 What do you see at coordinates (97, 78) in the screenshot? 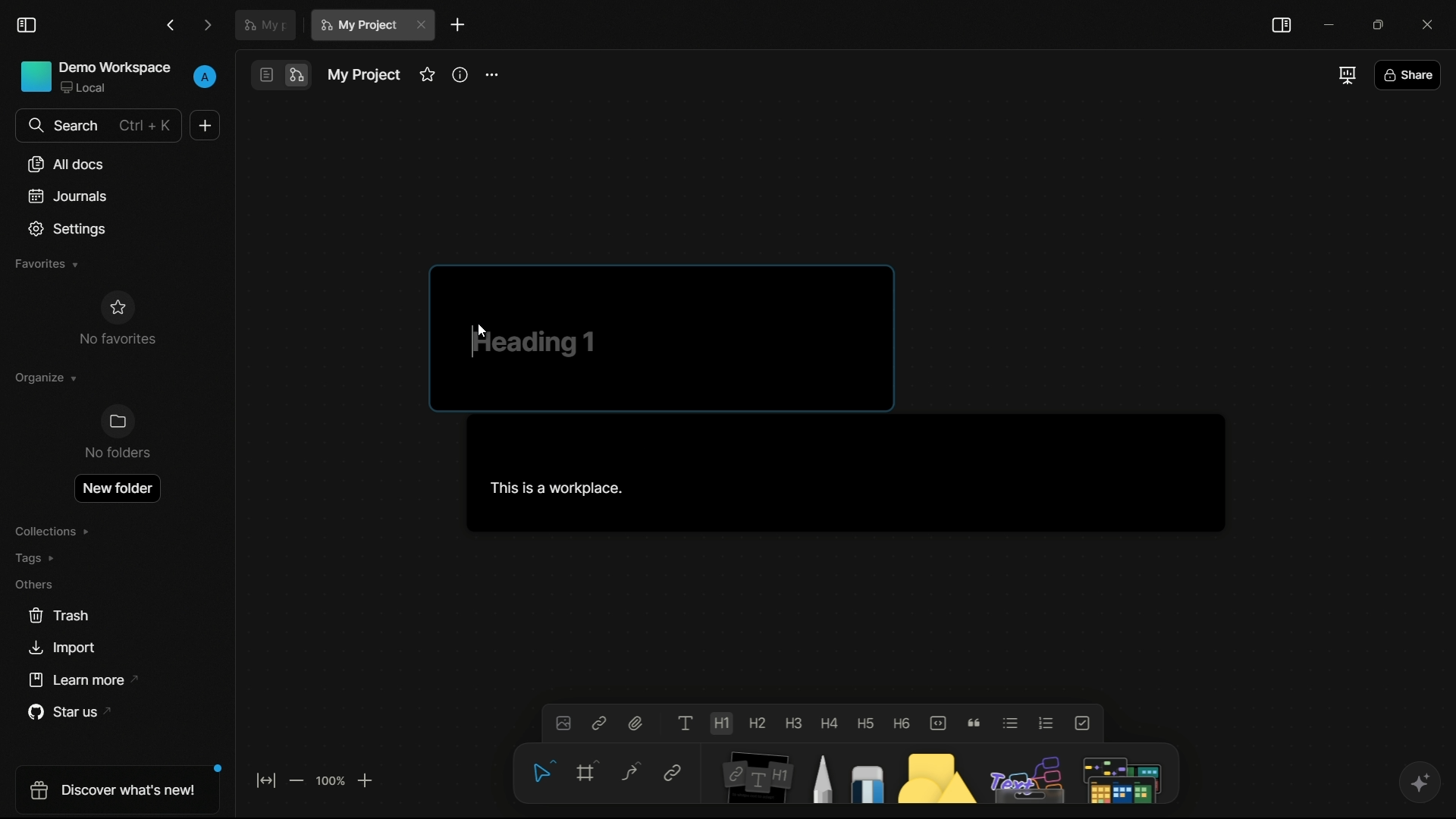
I see `demo workspace` at bounding box center [97, 78].